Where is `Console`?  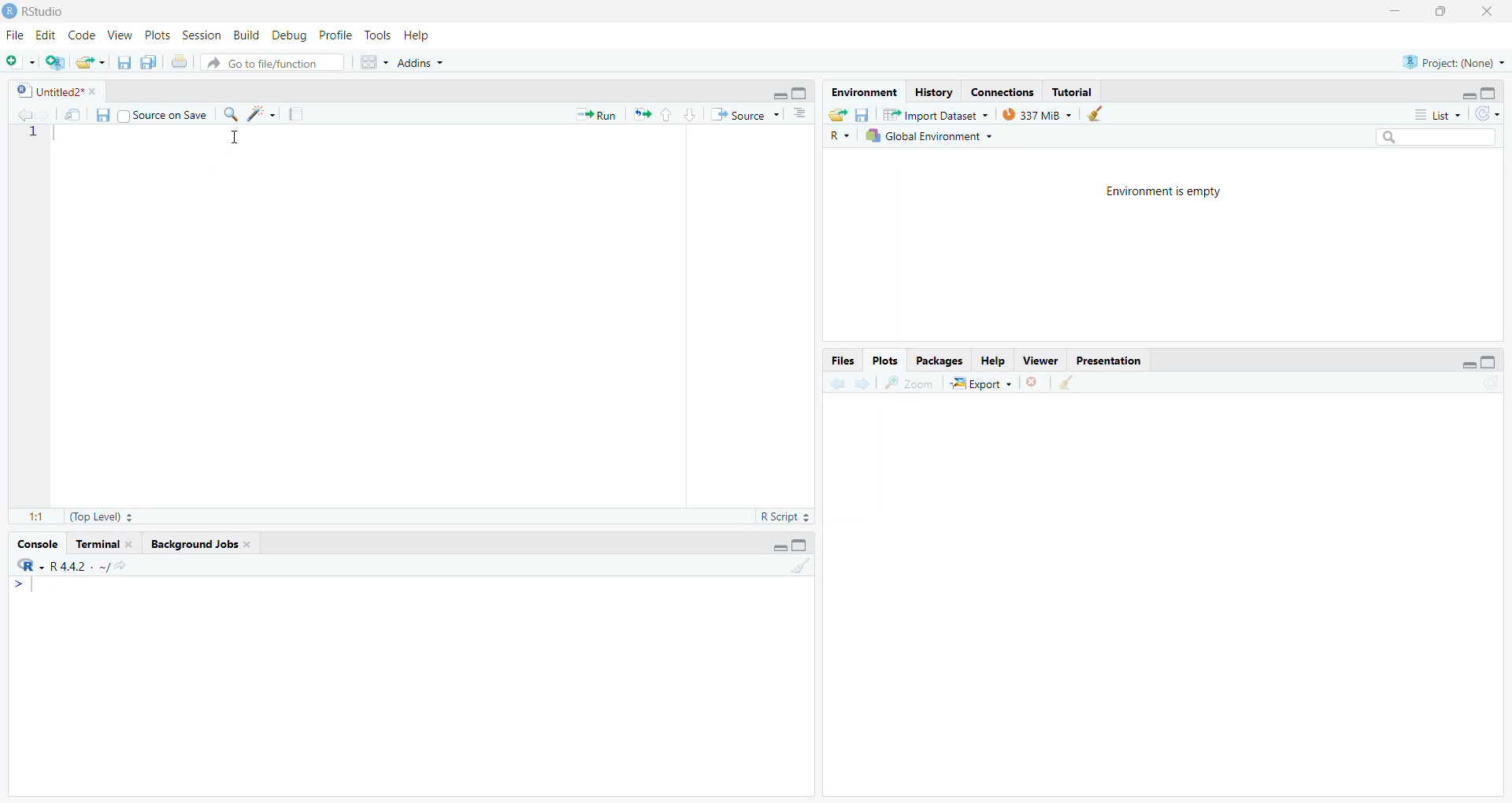
Console is located at coordinates (35, 547).